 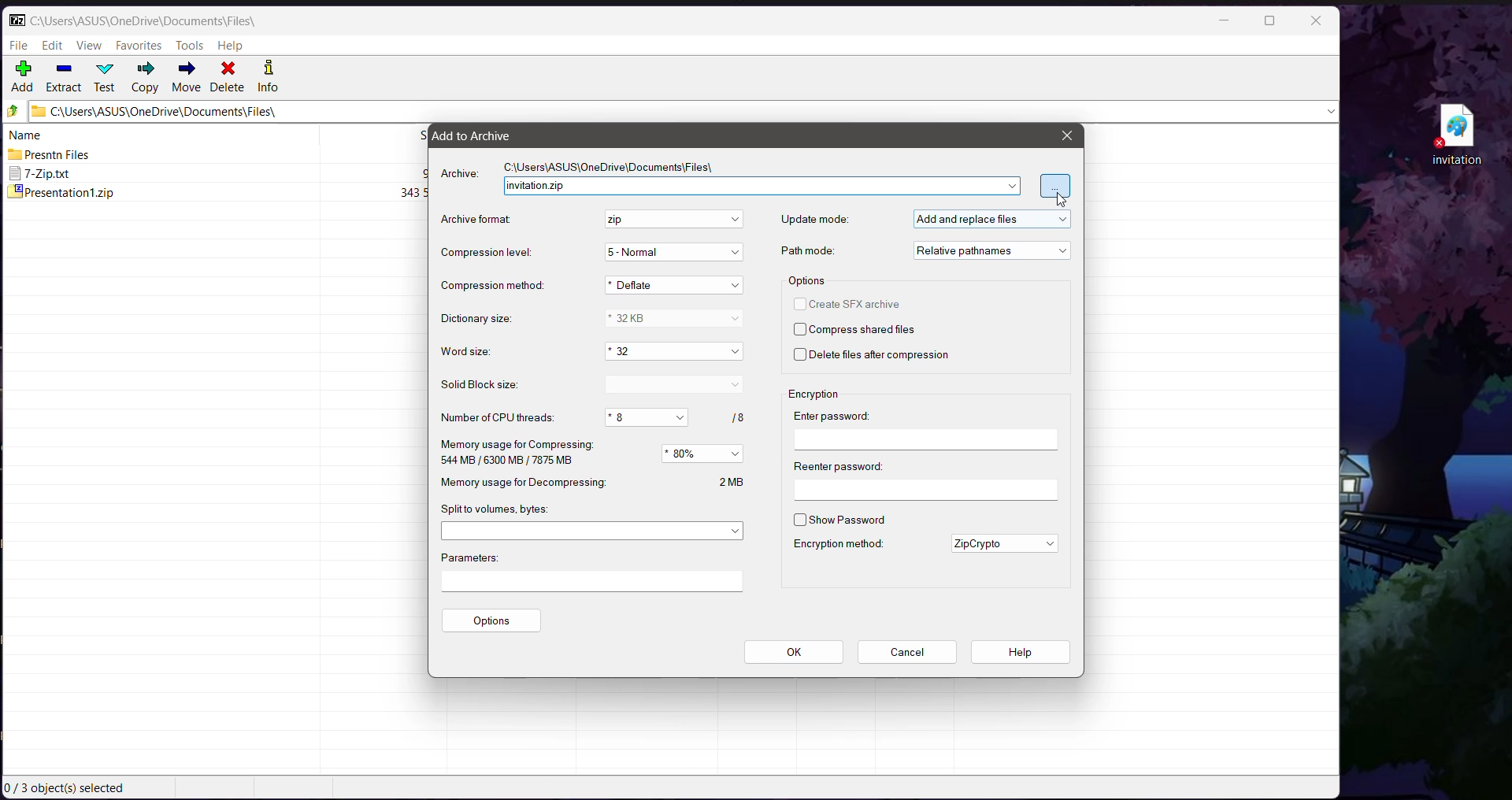 What do you see at coordinates (682, 113) in the screenshot?
I see `Current Folder Path` at bounding box center [682, 113].